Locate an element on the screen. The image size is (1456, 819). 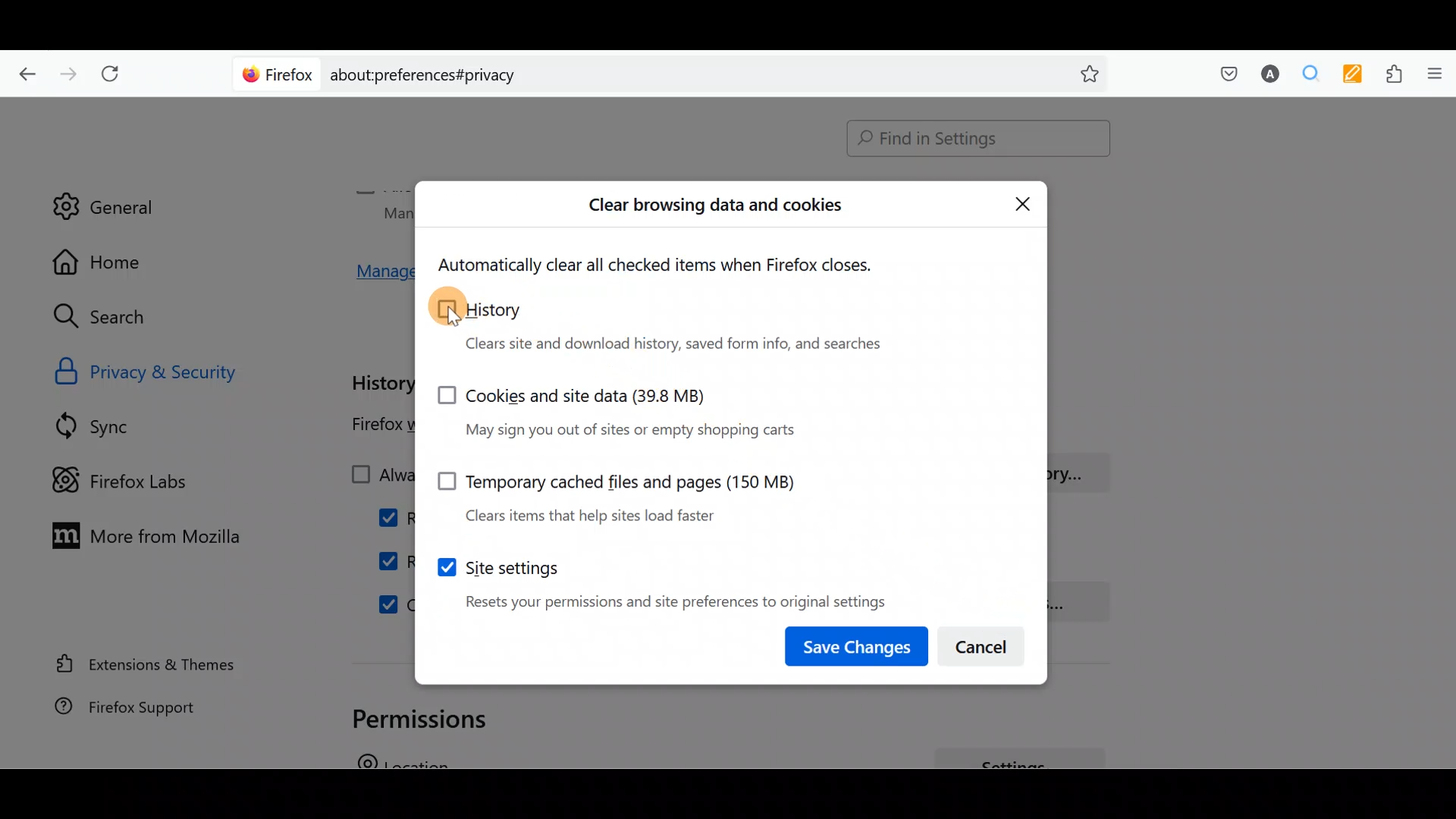
Firefox labs is located at coordinates (133, 479).